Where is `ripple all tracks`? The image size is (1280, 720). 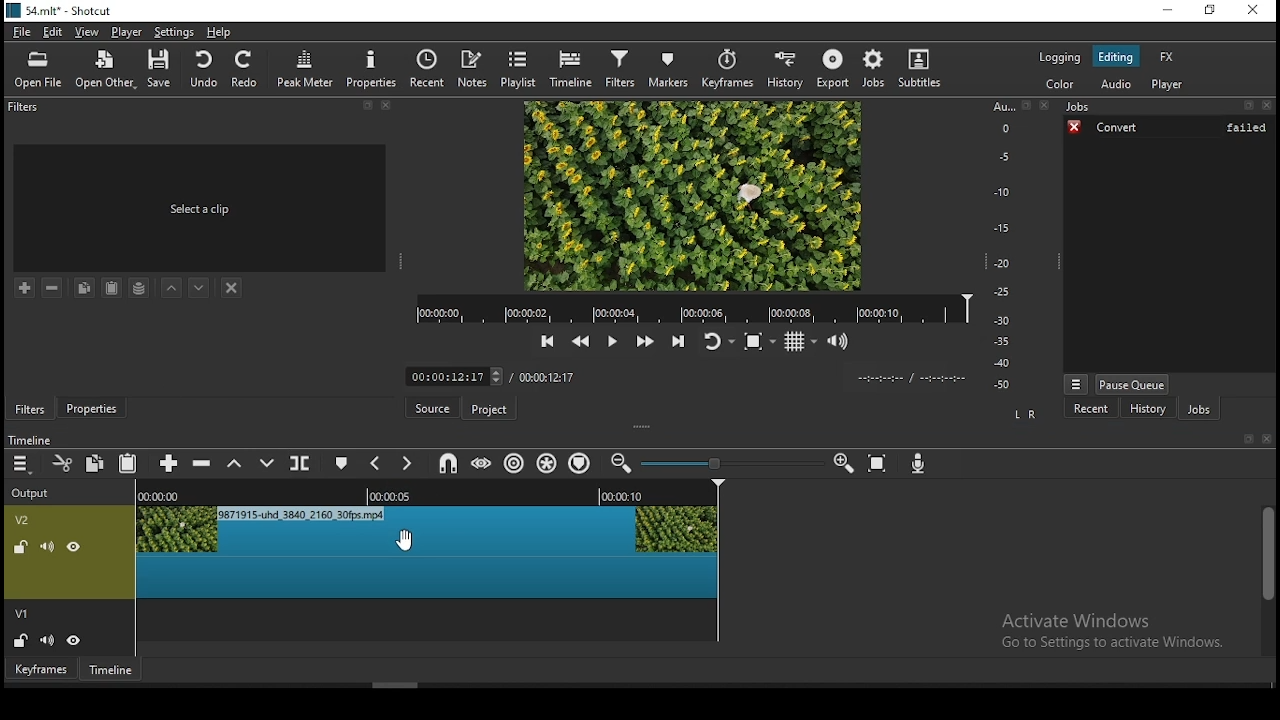 ripple all tracks is located at coordinates (547, 464).